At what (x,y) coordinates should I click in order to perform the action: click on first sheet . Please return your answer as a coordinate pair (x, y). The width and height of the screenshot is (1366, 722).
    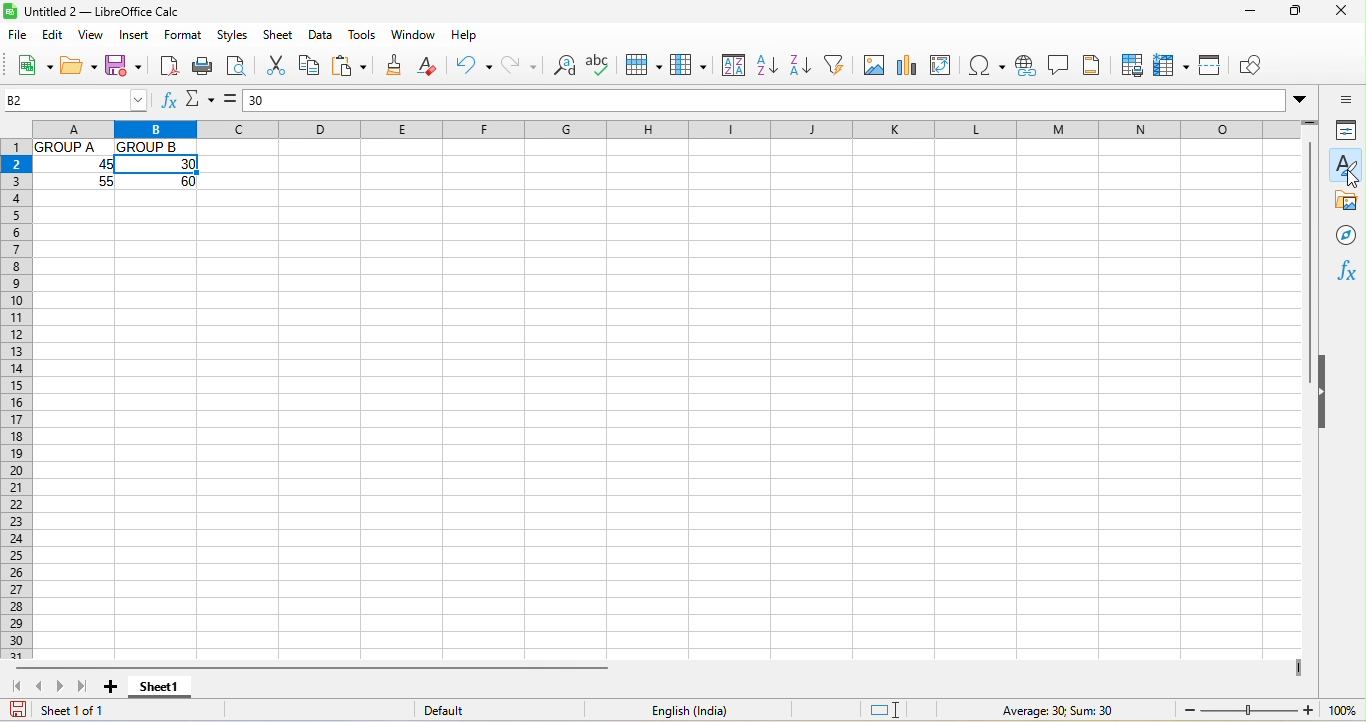
    Looking at the image, I should click on (16, 687).